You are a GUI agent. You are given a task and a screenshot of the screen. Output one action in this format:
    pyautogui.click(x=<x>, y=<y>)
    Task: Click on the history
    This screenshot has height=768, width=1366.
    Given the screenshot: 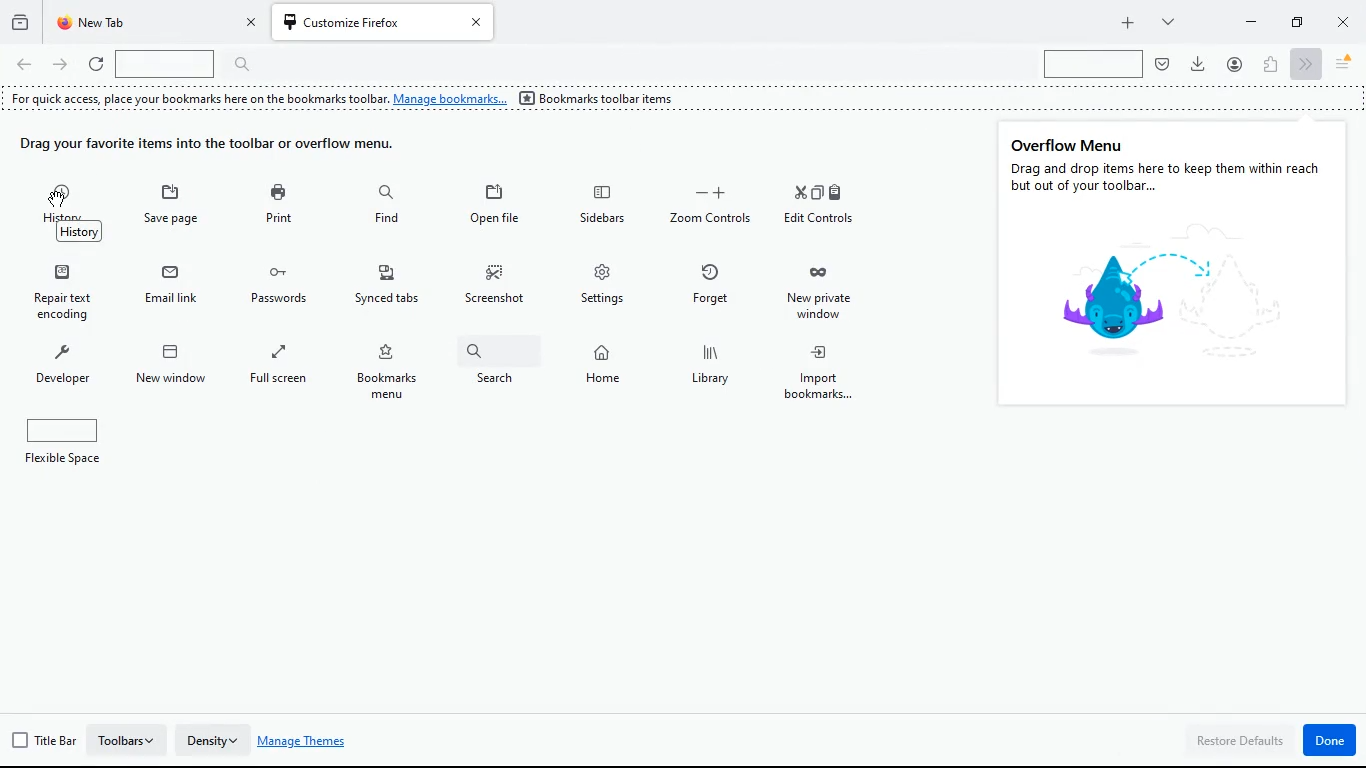 What is the action you would take?
    pyautogui.click(x=72, y=212)
    